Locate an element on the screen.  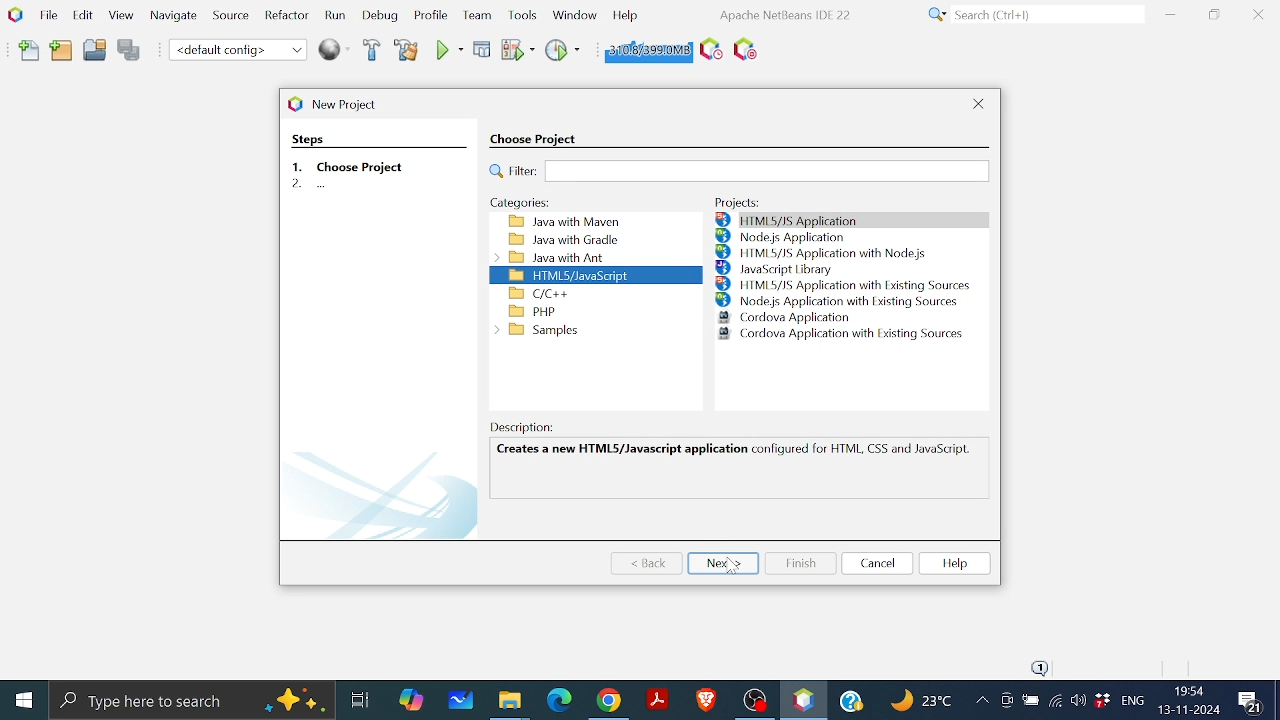
Start is located at coordinates (23, 701).